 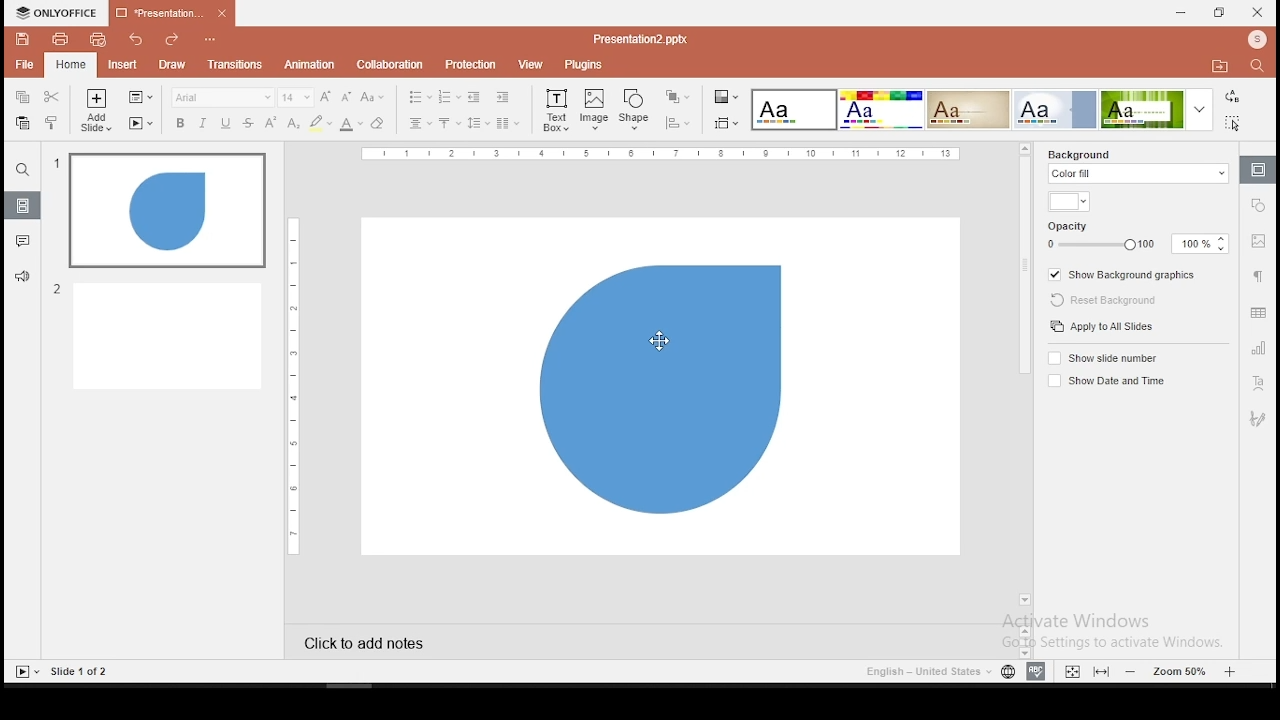 I want to click on undo, so click(x=134, y=39).